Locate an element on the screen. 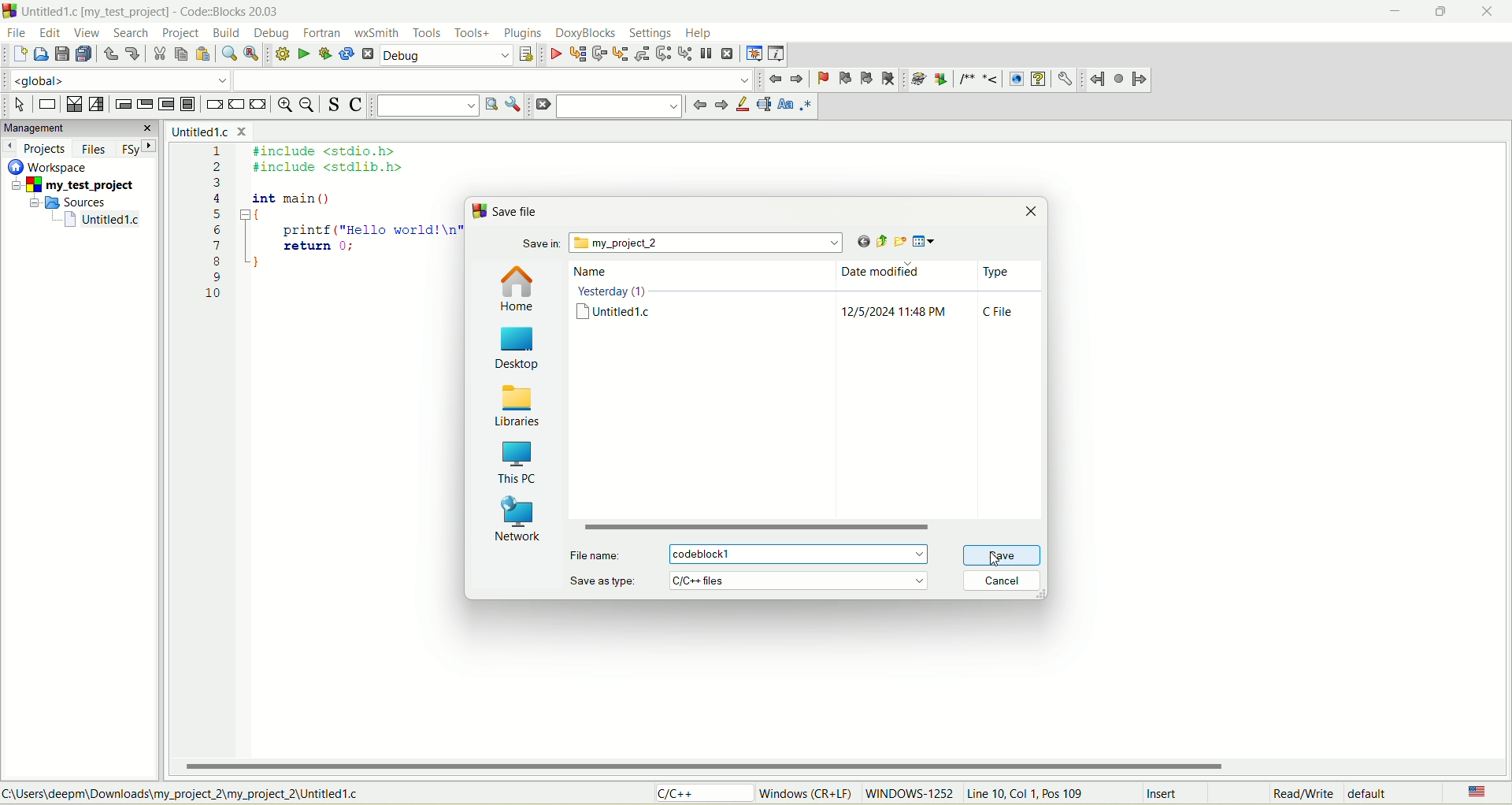 The height and width of the screenshot is (805, 1512). project is located at coordinates (180, 34).